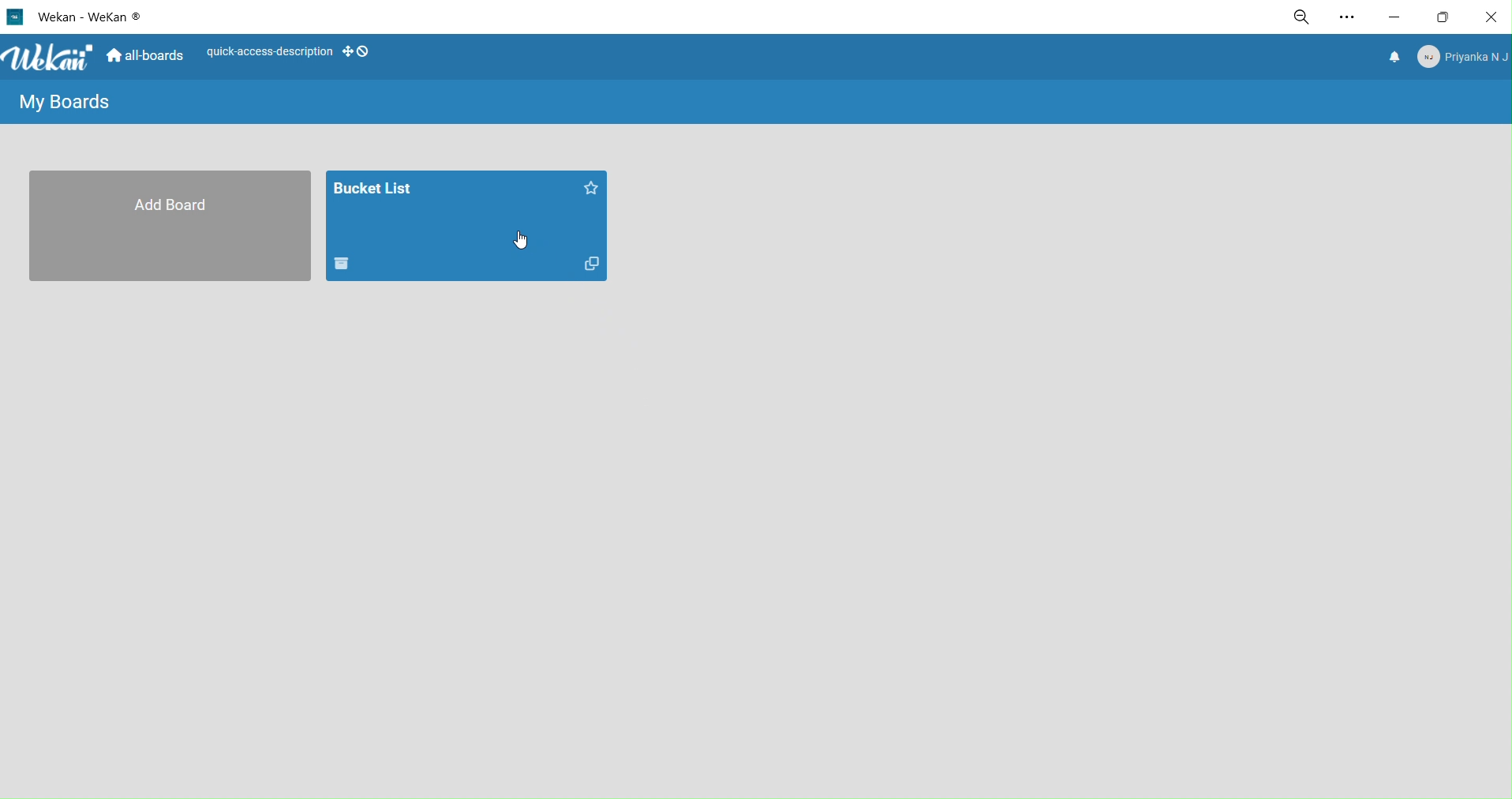  Describe the element at coordinates (345, 264) in the screenshot. I see `delete` at that location.